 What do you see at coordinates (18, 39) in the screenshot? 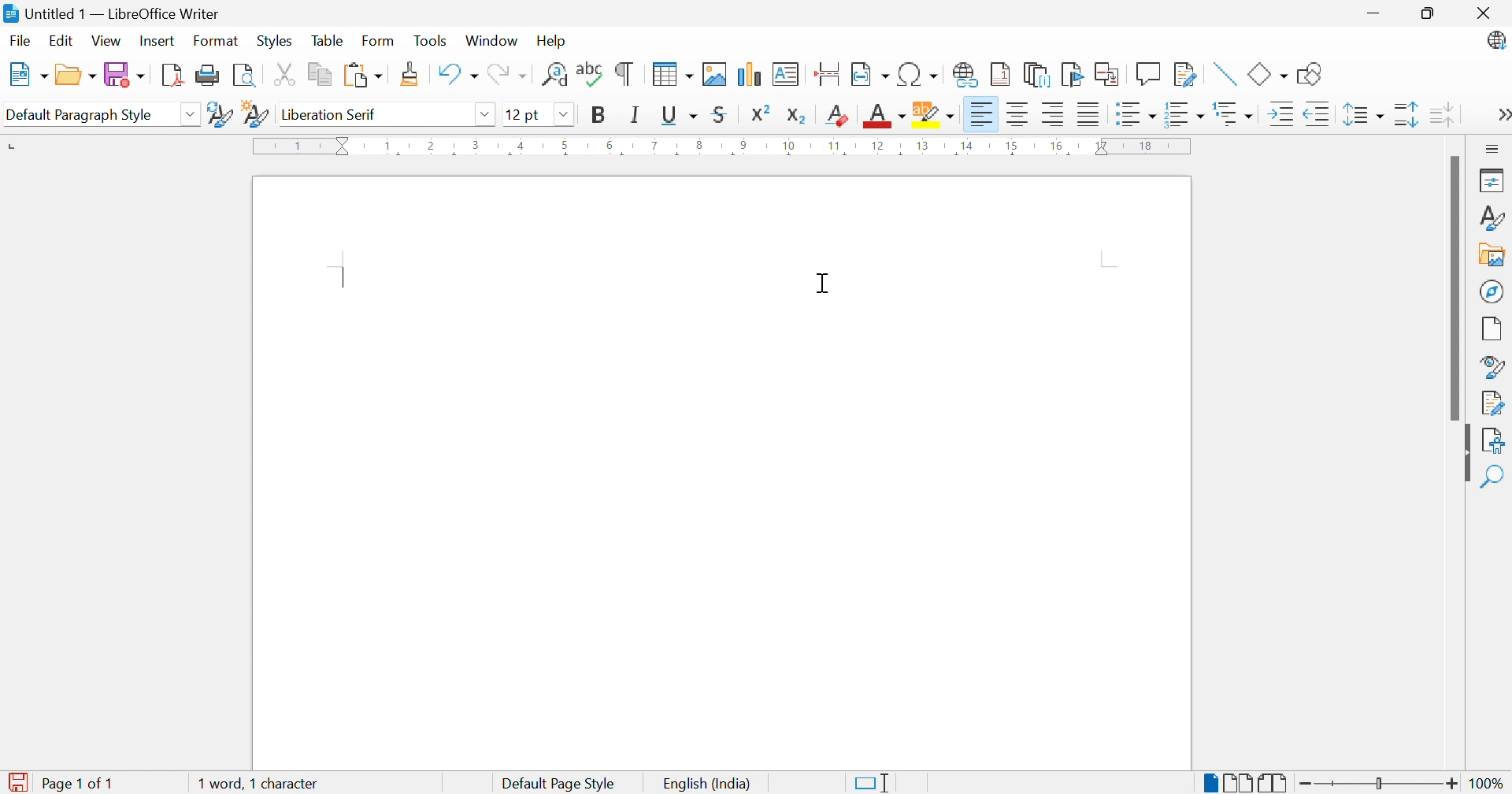
I see `File` at bounding box center [18, 39].